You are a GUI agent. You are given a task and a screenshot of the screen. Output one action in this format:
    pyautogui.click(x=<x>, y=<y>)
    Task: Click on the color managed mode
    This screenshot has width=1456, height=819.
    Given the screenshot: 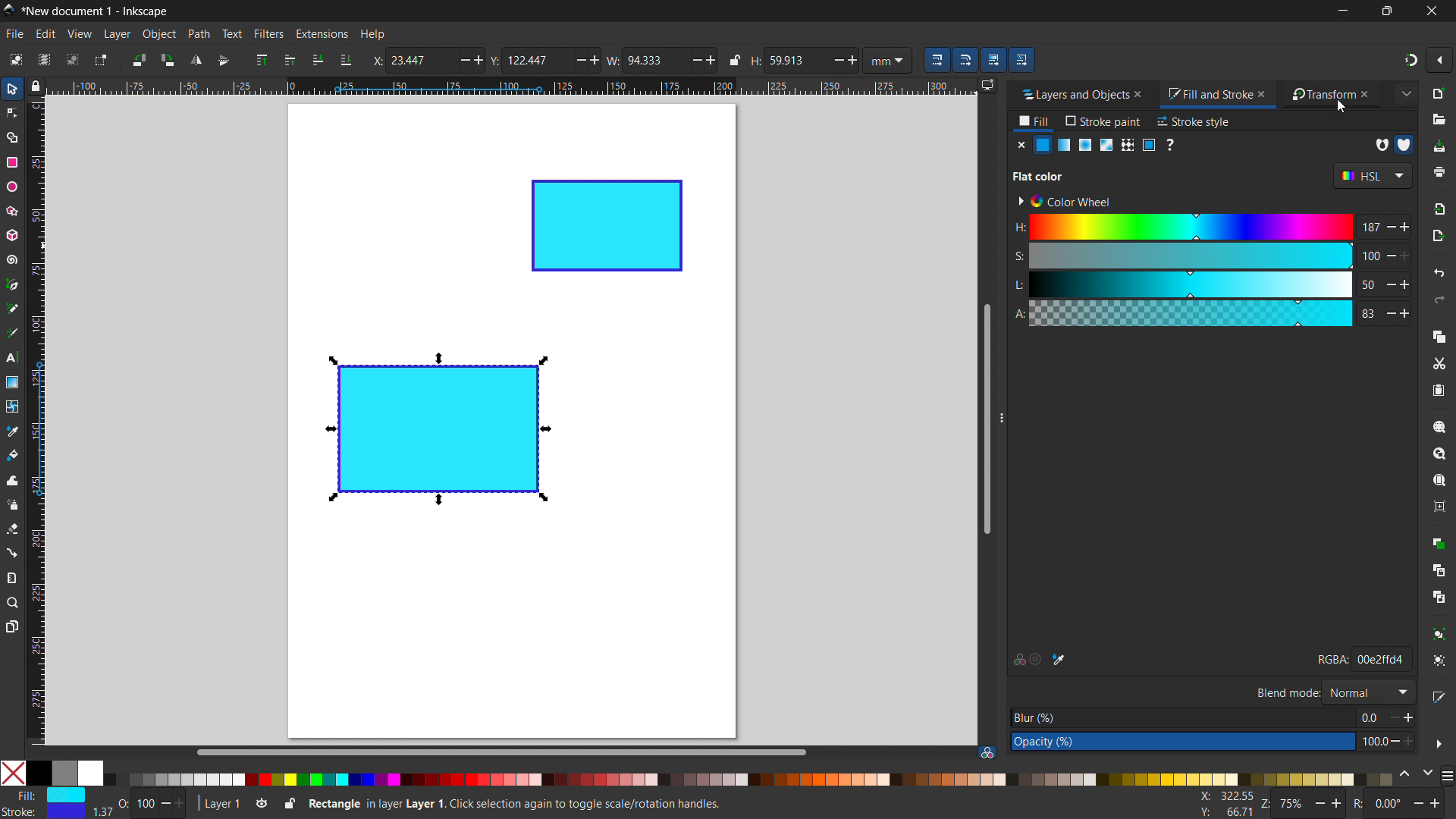 What is the action you would take?
    pyautogui.click(x=1018, y=661)
    